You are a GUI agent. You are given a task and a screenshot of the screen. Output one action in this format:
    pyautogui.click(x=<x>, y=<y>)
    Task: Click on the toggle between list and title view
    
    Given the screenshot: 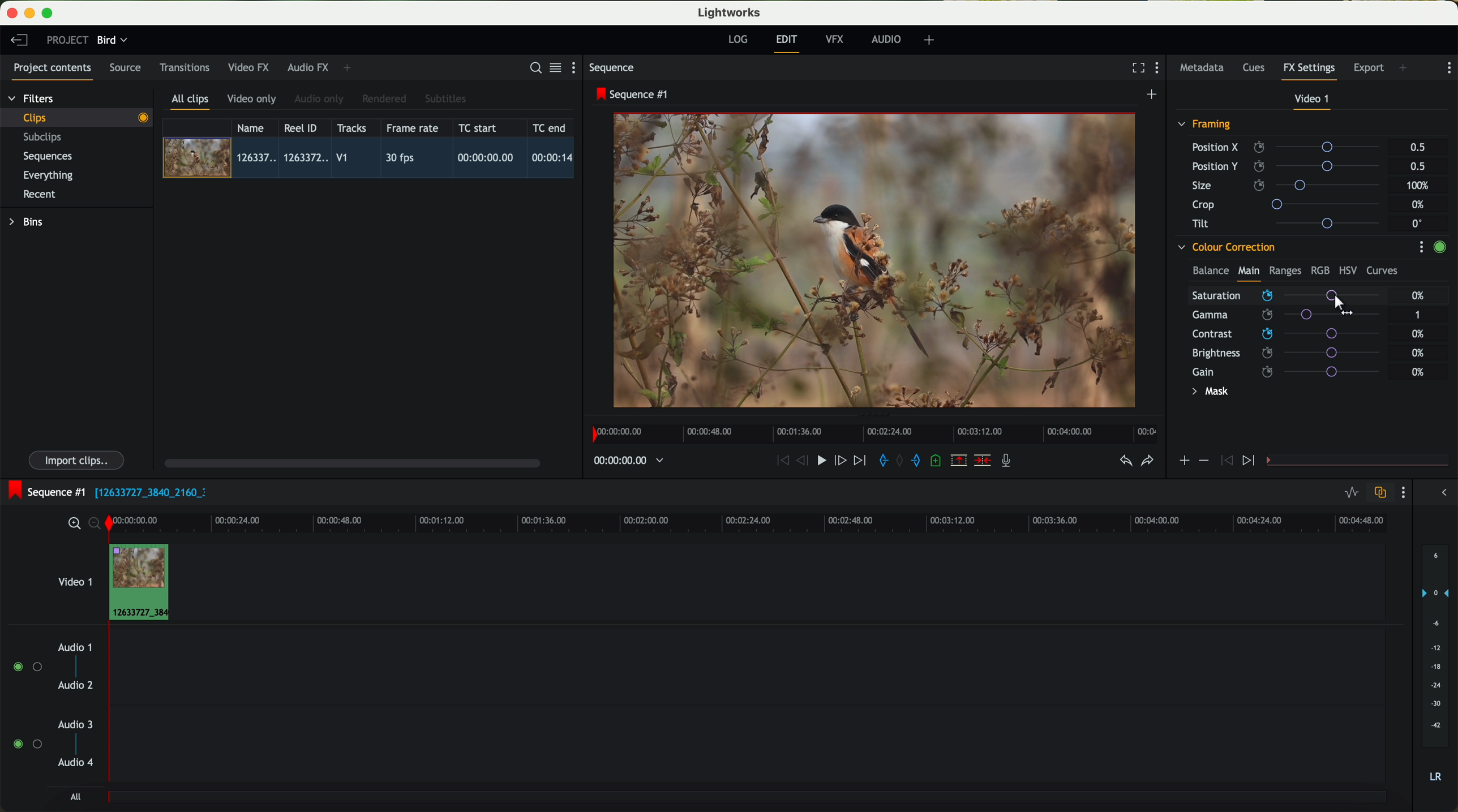 What is the action you would take?
    pyautogui.click(x=554, y=67)
    